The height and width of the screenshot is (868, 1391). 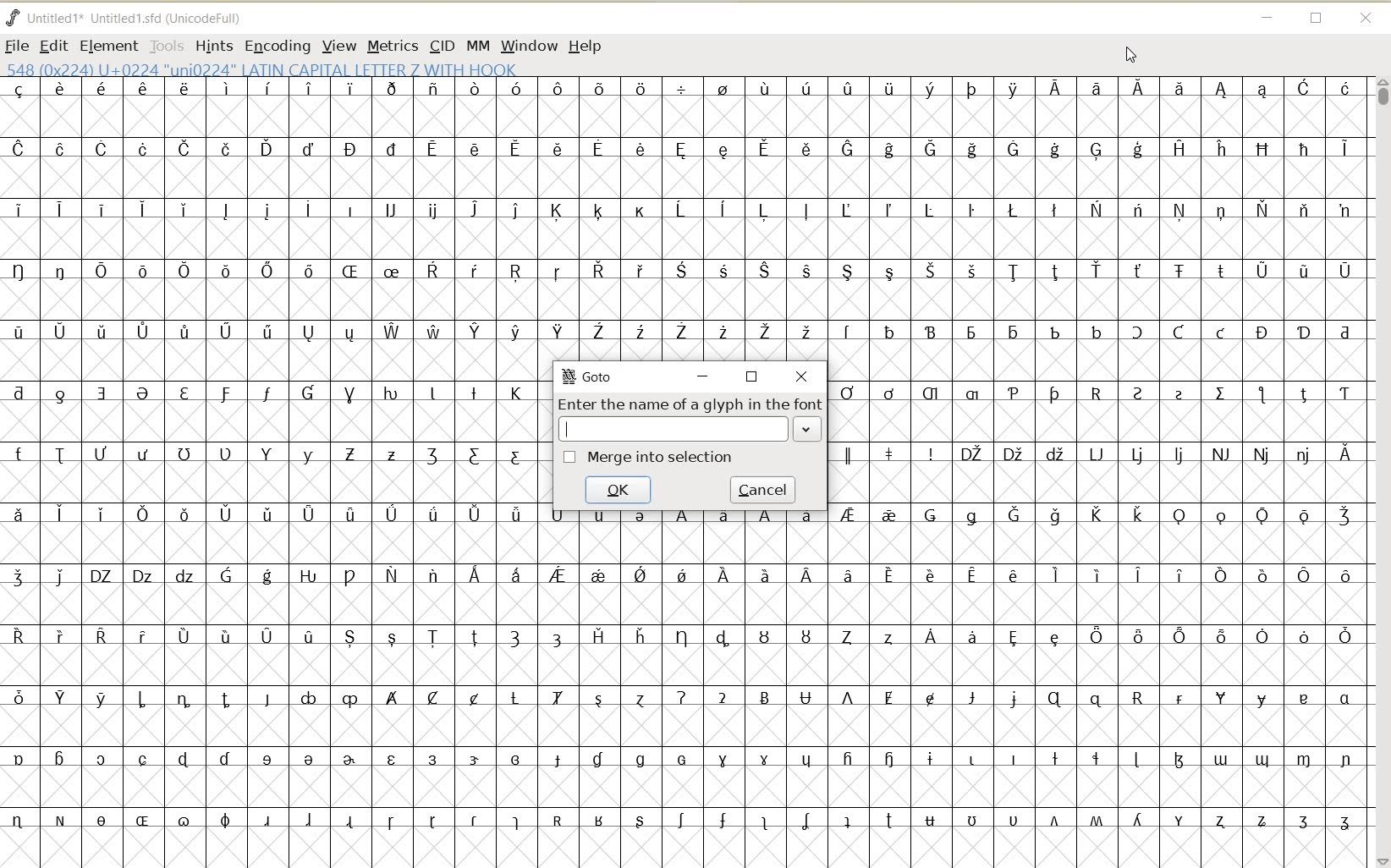 What do you see at coordinates (954, 218) in the screenshot?
I see `GLYPHY CHARACTERS & NUMBERS` at bounding box center [954, 218].